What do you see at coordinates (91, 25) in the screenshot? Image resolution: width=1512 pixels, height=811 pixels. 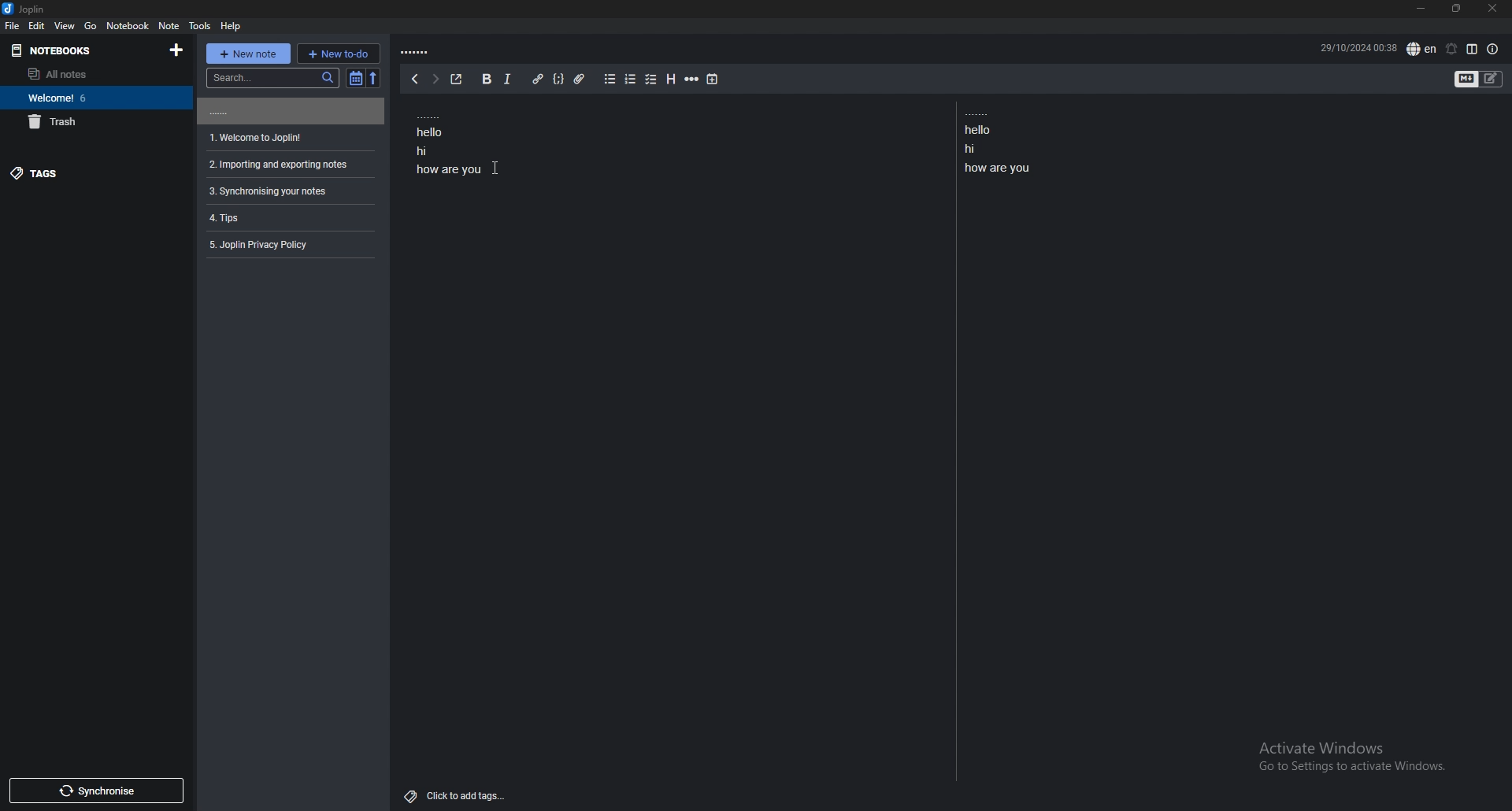 I see `go` at bounding box center [91, 25].